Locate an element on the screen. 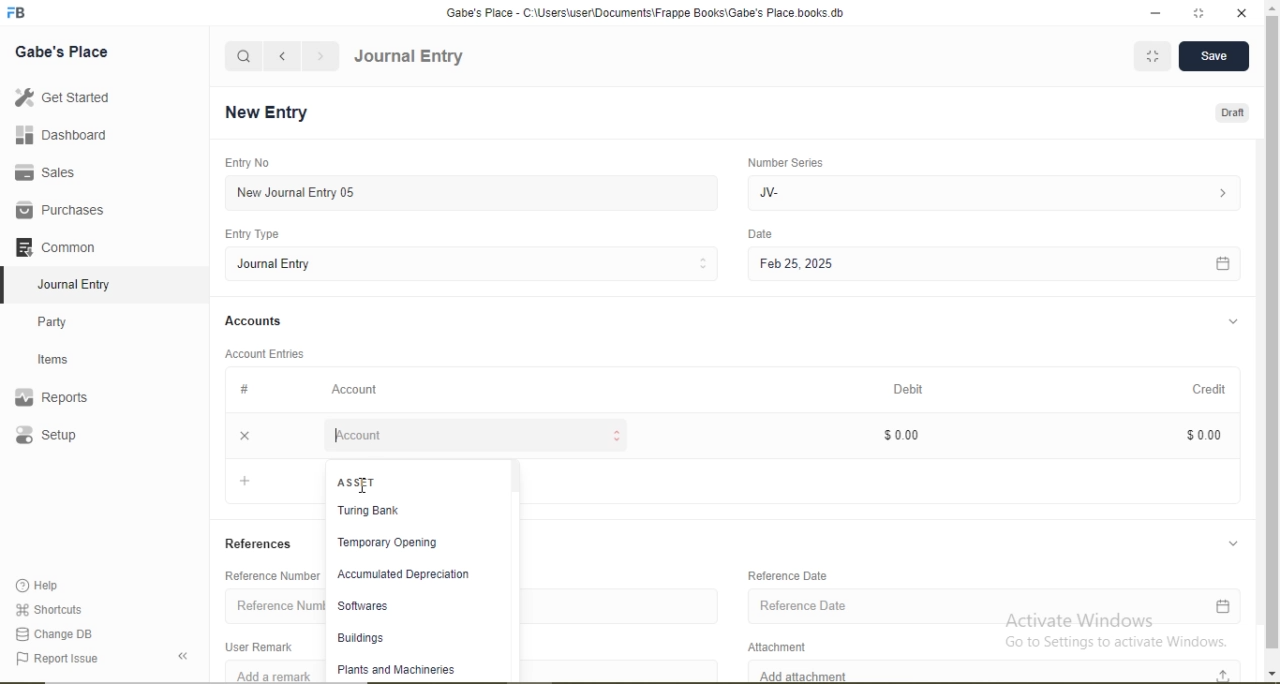 The height and width of the screenshot is (684, 1280). Account is located at coordinates (476, 435).